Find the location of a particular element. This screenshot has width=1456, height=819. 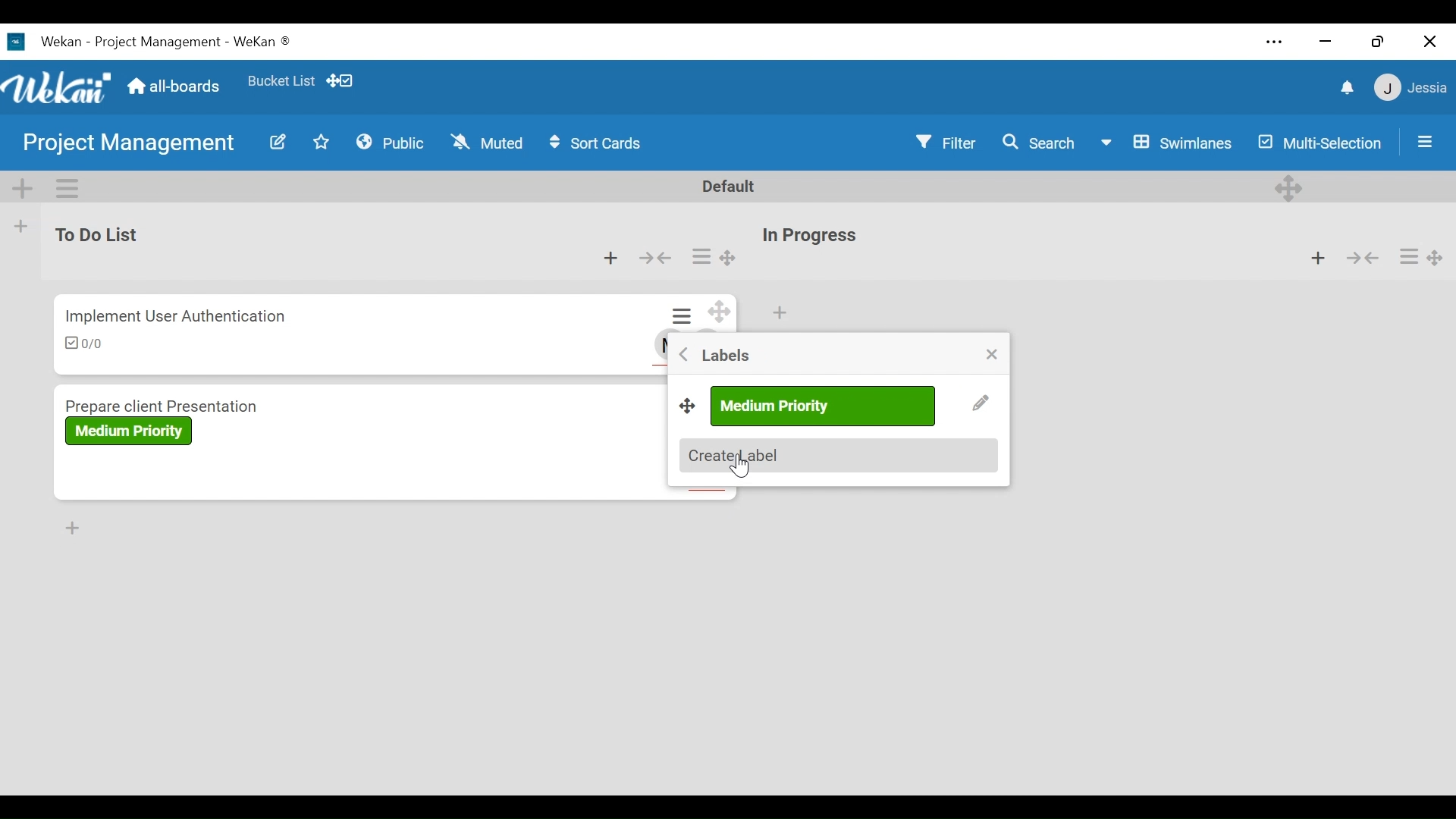

Search is located at coordinates (1039, 142).